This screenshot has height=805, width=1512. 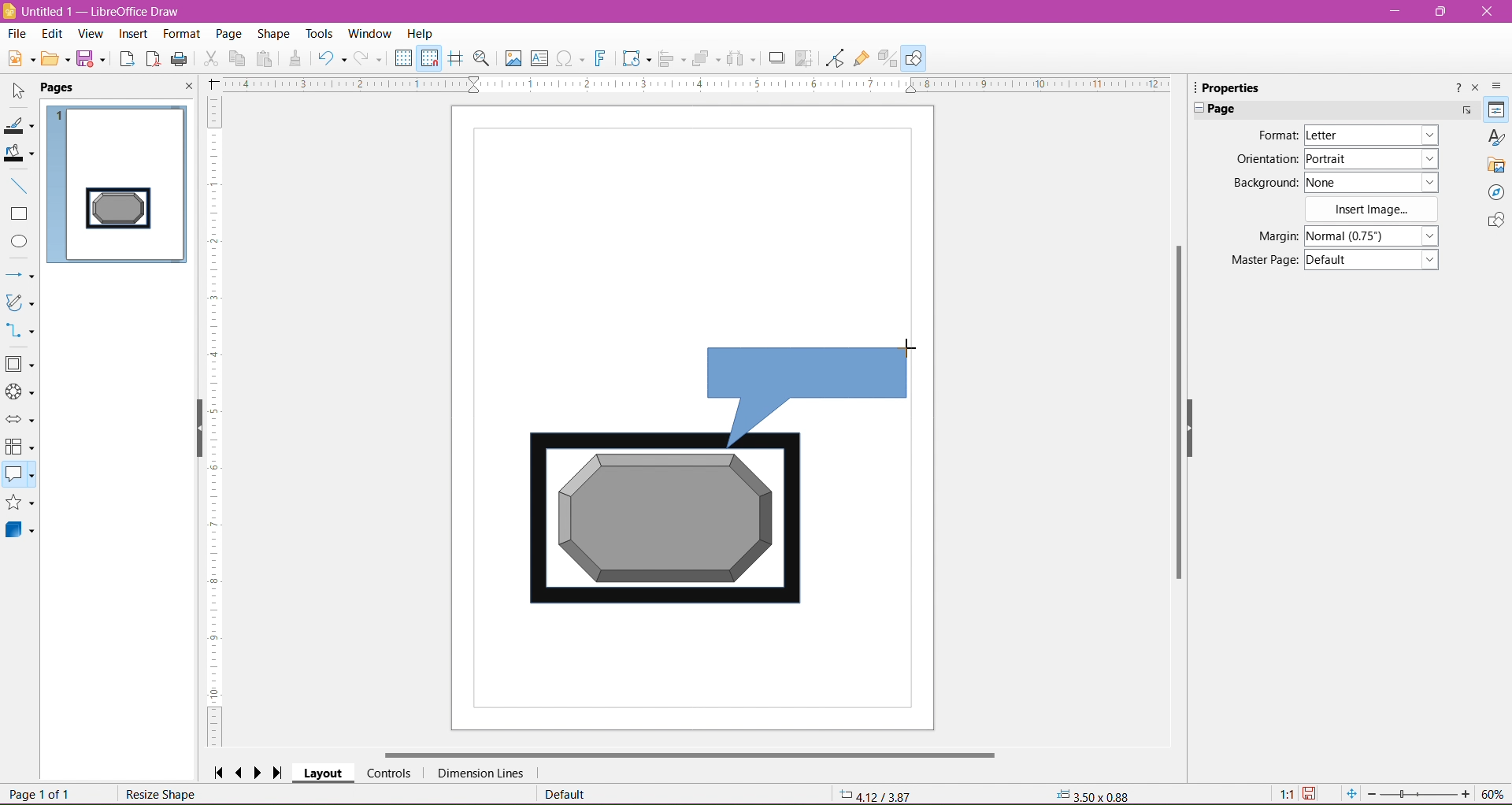 What do you see at coordinates (888, 58) in the screenshot?
I see `Toggle Extrusion` at bounding box center [888, 58].